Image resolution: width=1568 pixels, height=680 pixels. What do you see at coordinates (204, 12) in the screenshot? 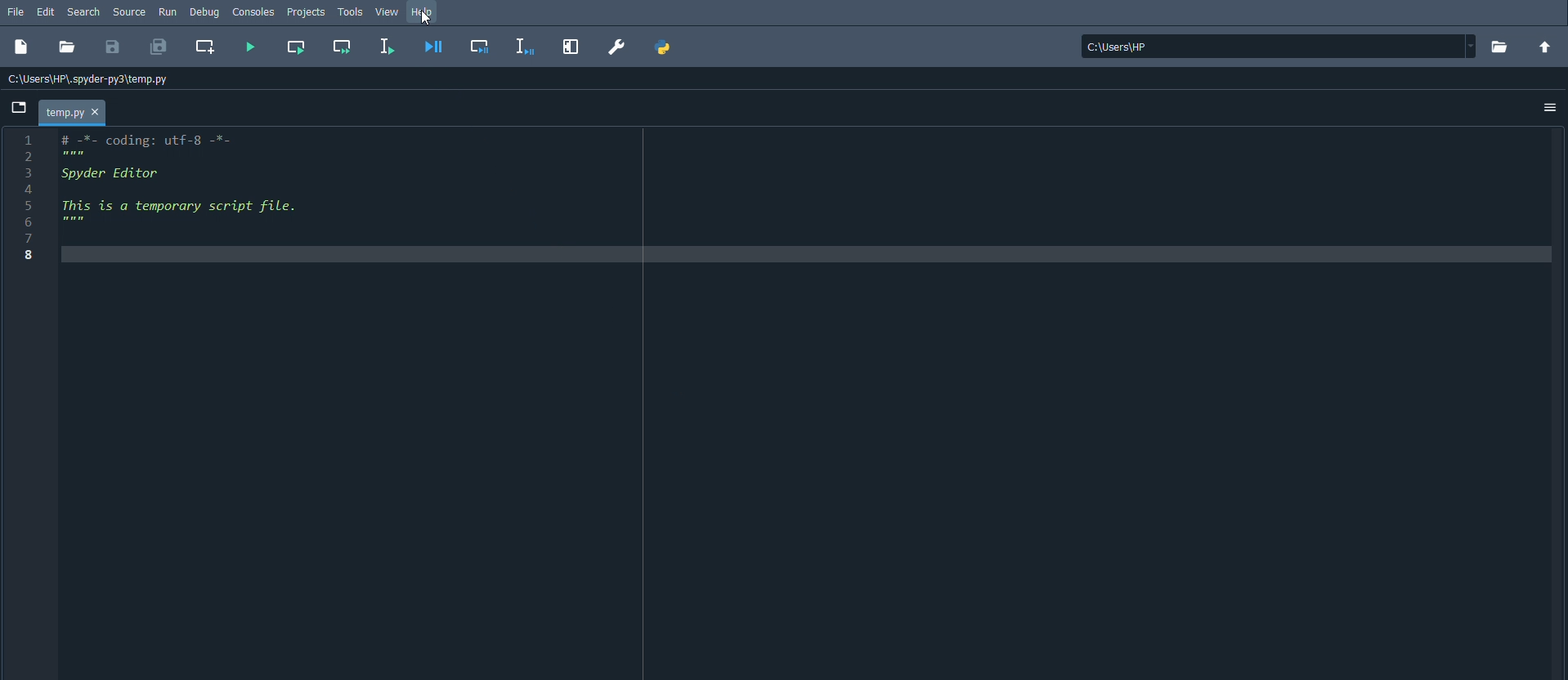
I see `Debug` at bounding box center [204, 12].